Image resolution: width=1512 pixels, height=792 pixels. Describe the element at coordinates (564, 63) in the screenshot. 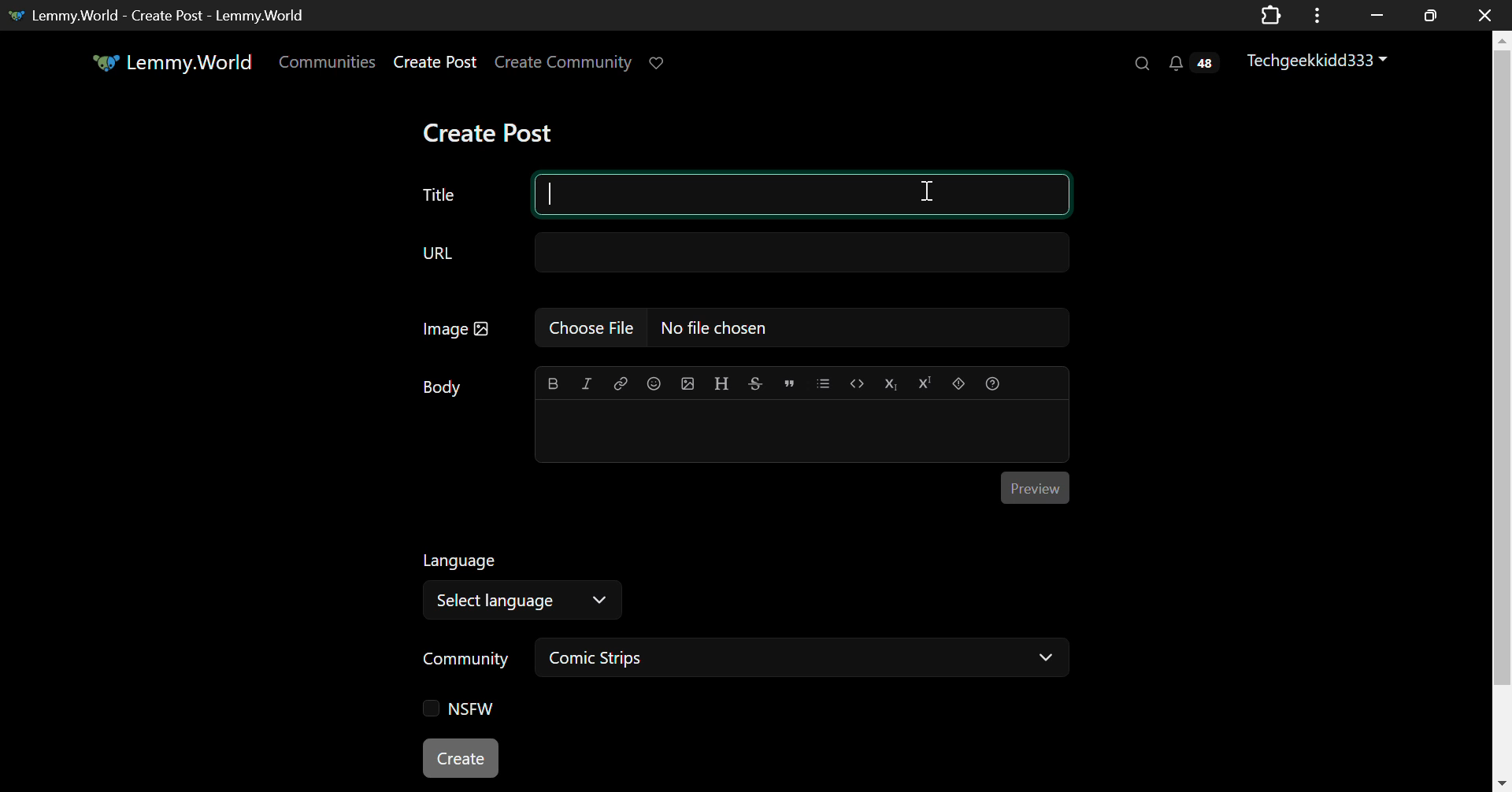

I see `Create Community` at that location.